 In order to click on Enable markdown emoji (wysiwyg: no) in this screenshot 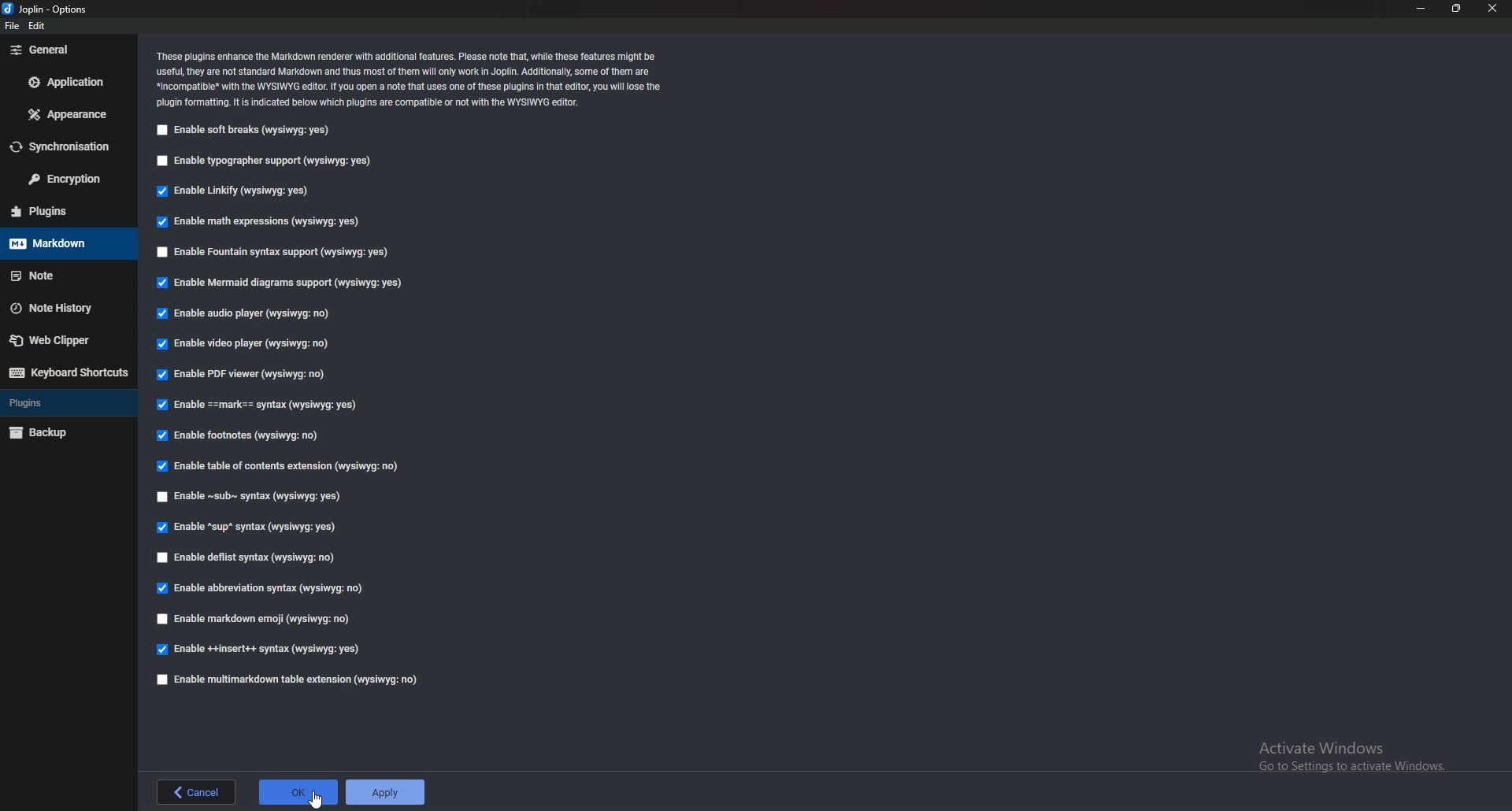, I will do `click(258, 618)`.